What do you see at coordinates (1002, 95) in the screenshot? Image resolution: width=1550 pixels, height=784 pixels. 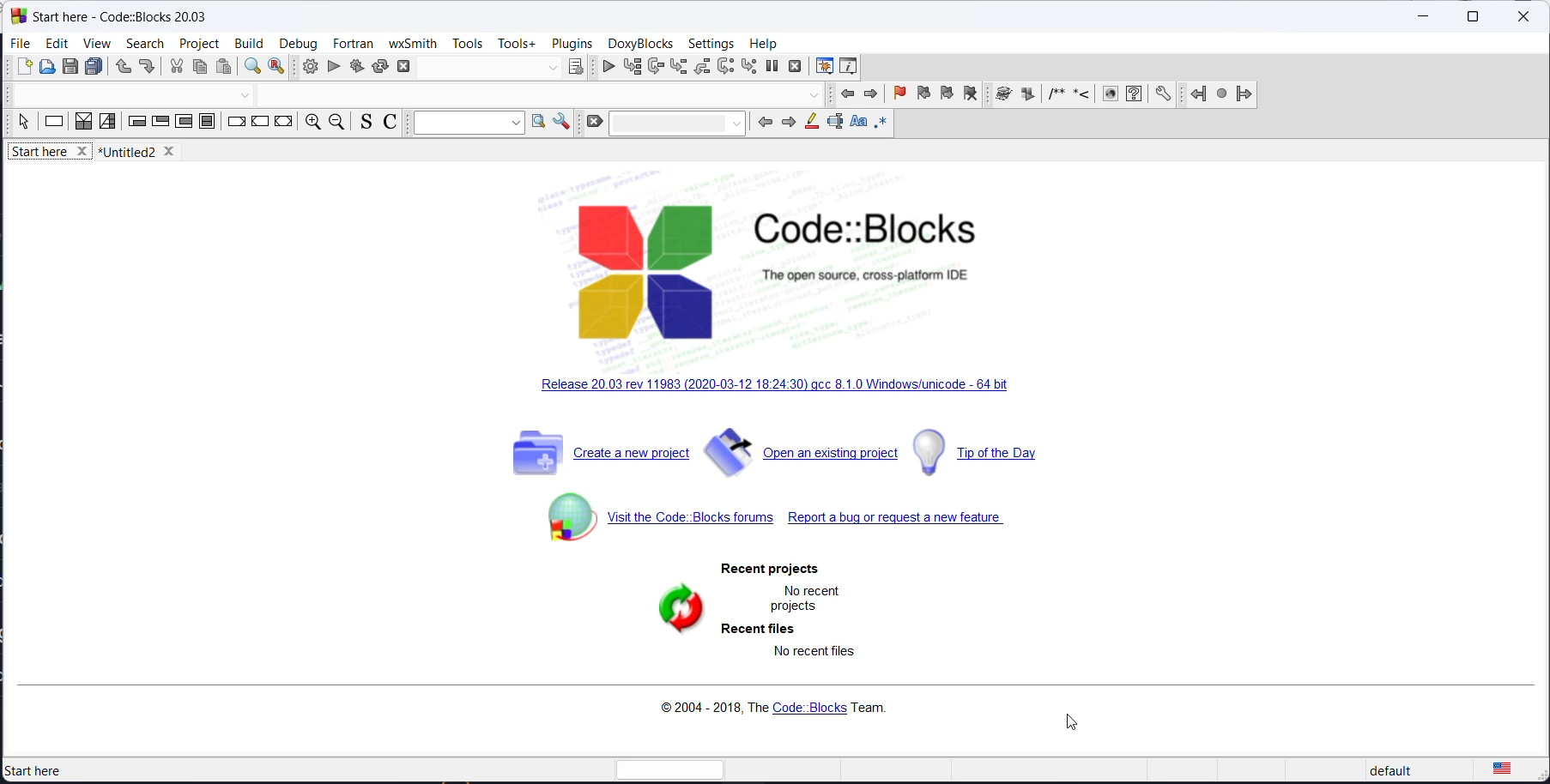 I see `icon` at bounding box center [1002, 95].